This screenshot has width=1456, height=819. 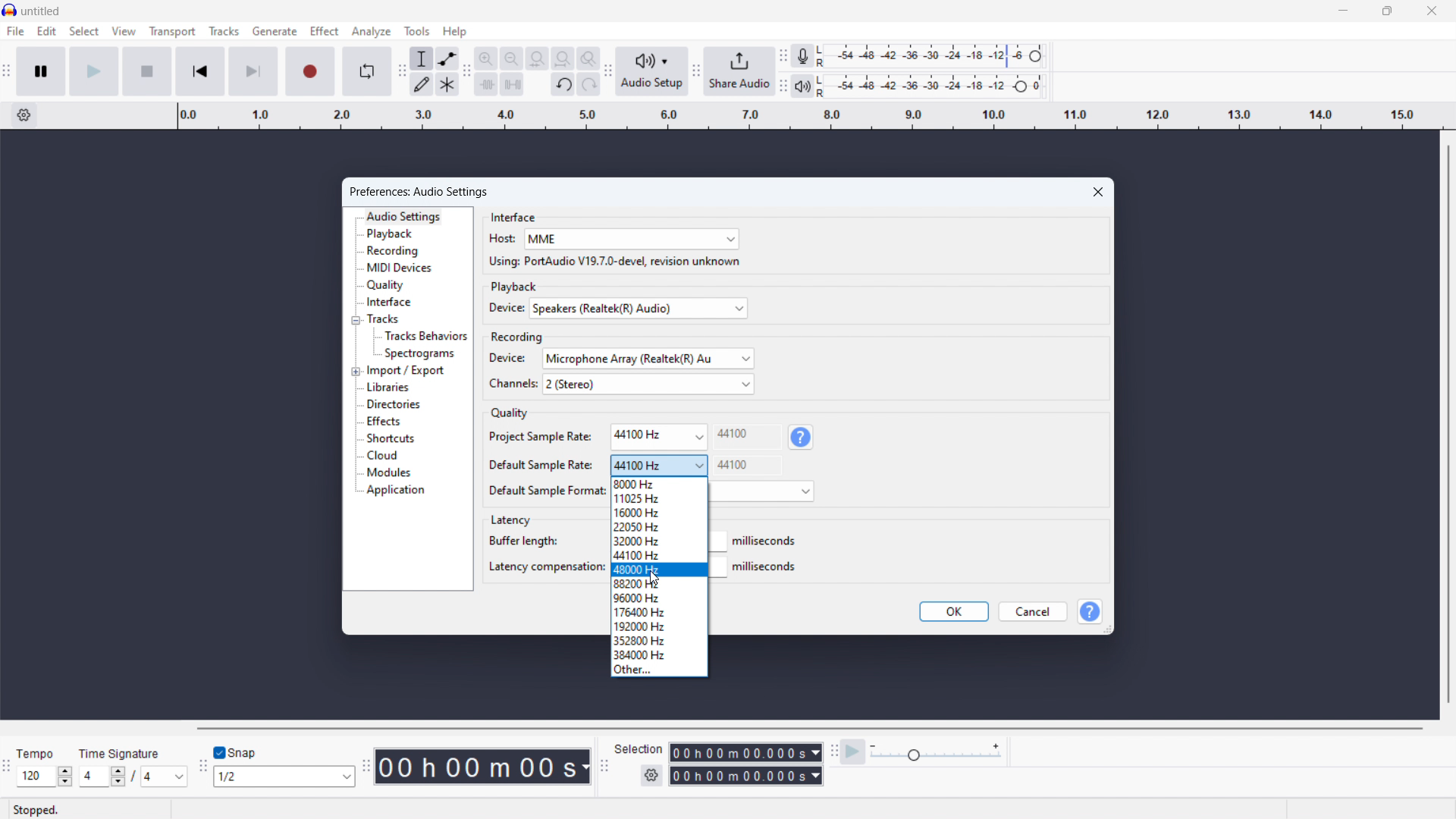 I want to click on transport toolbar, so click(x=6, y=75).